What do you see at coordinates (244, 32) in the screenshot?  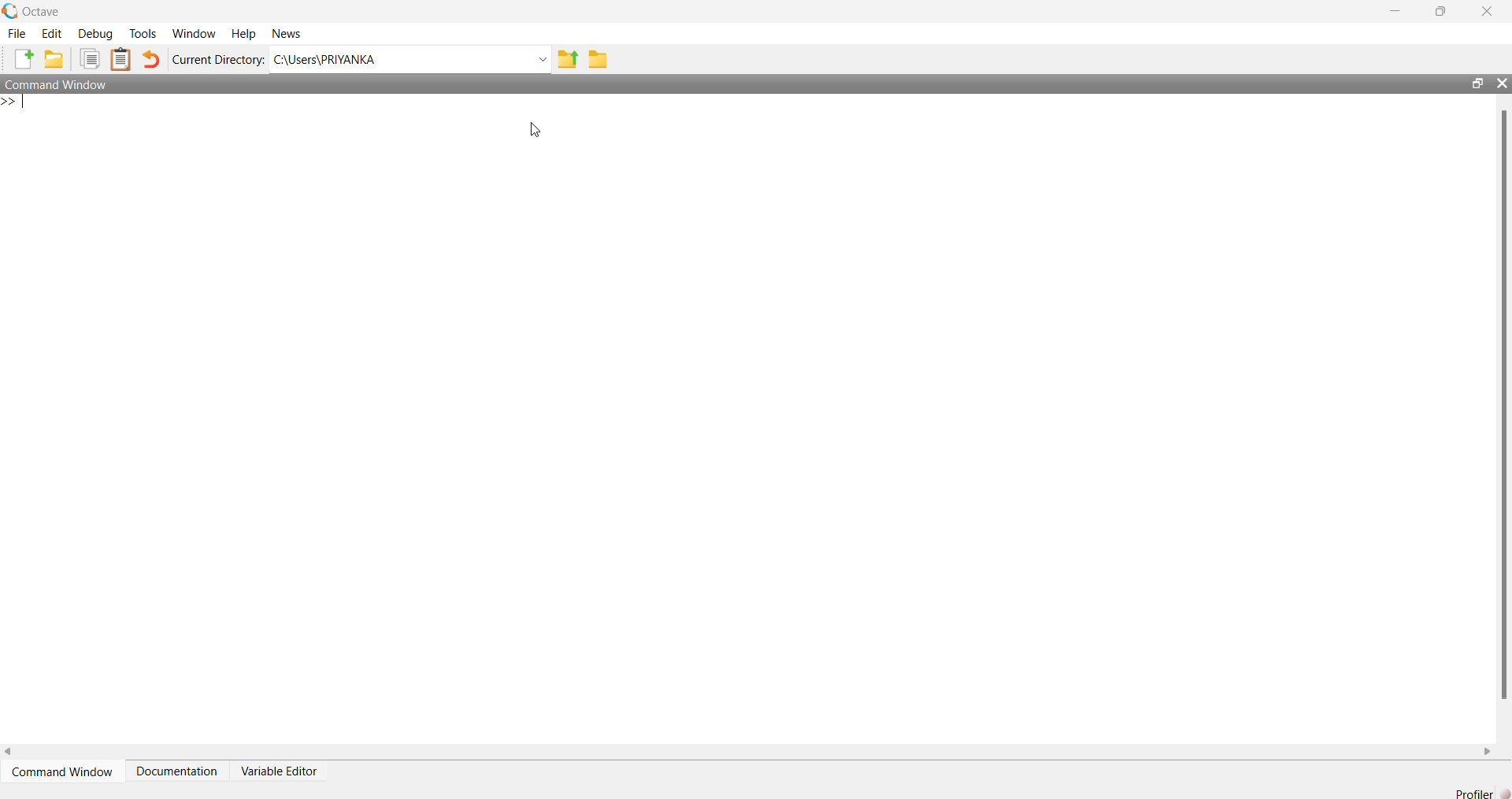 I see `Help` at bounding box center [244, 32].